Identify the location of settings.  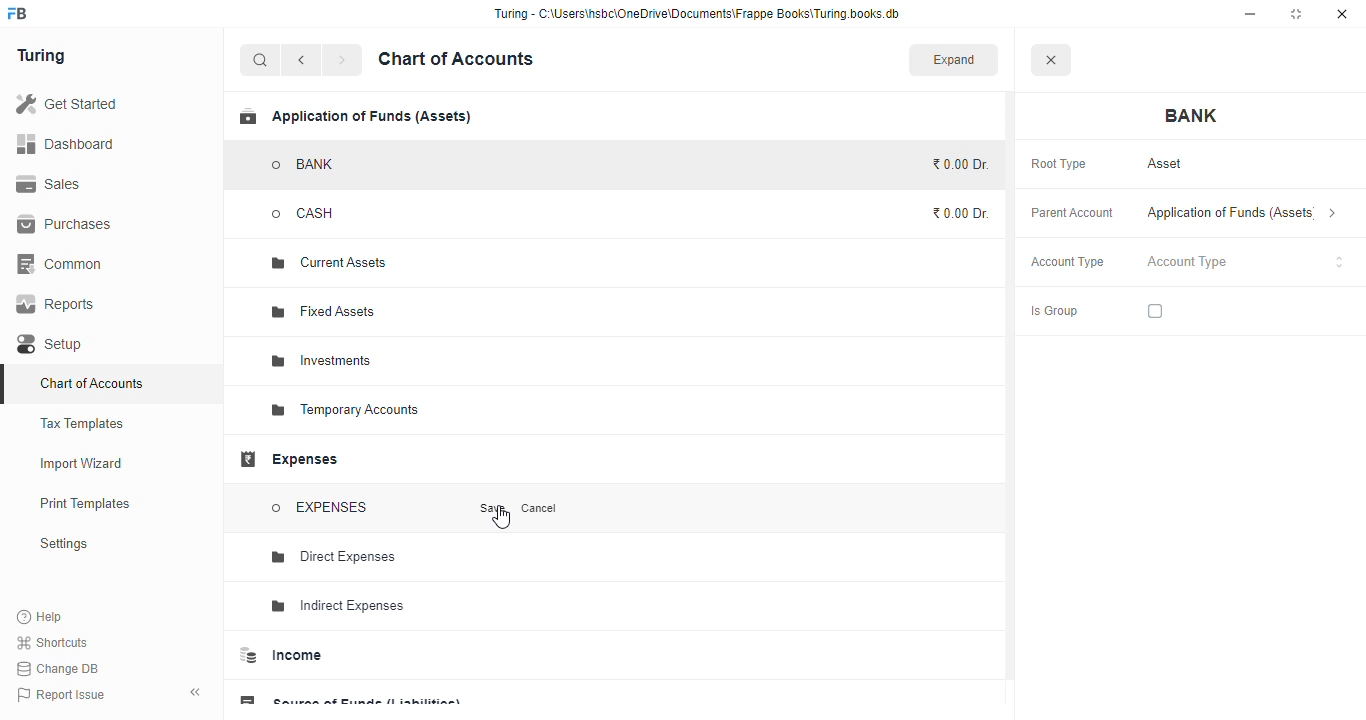
(63, 543).